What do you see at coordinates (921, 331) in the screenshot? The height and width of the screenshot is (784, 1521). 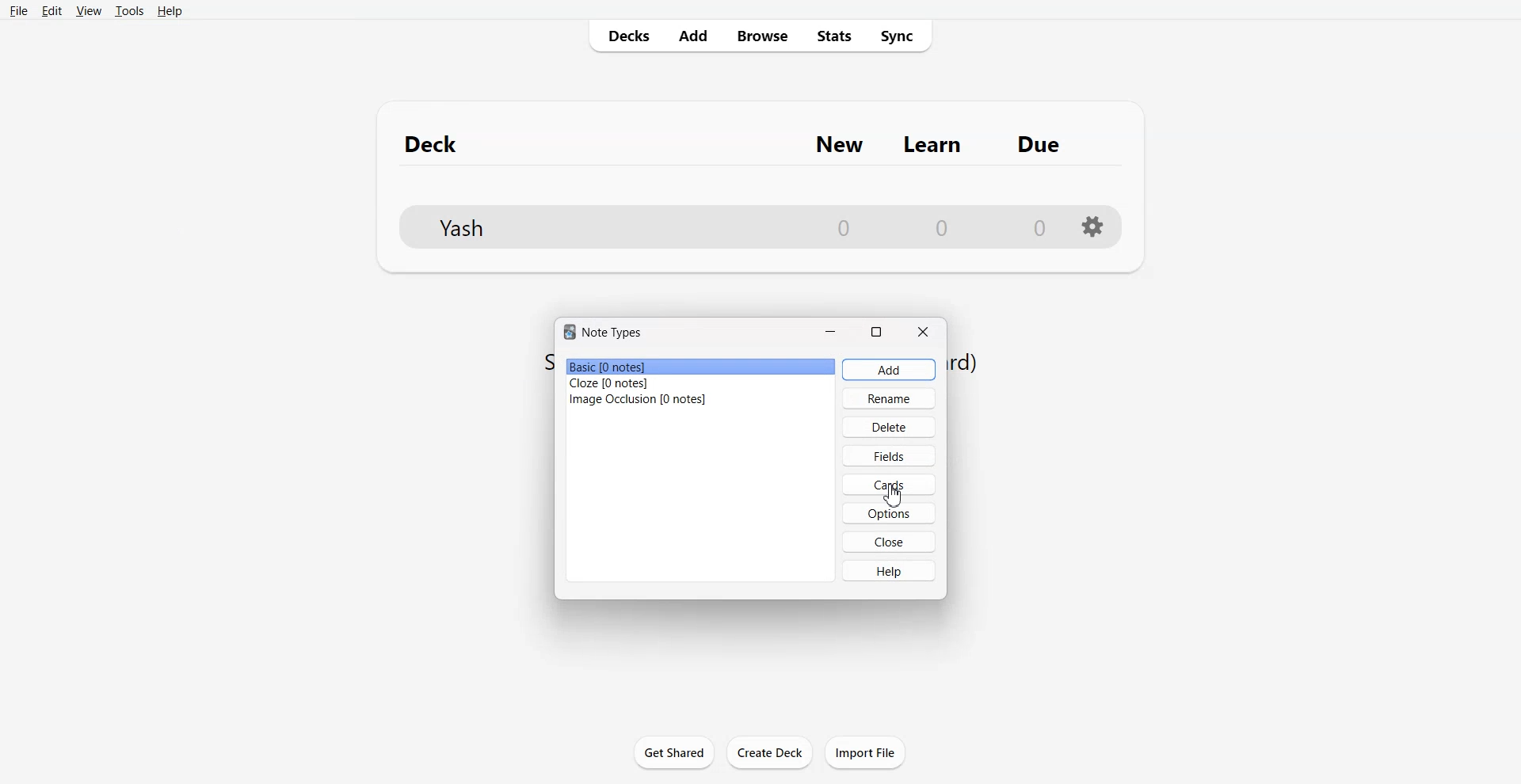 I see `Close` at bounding box center [921, 331].